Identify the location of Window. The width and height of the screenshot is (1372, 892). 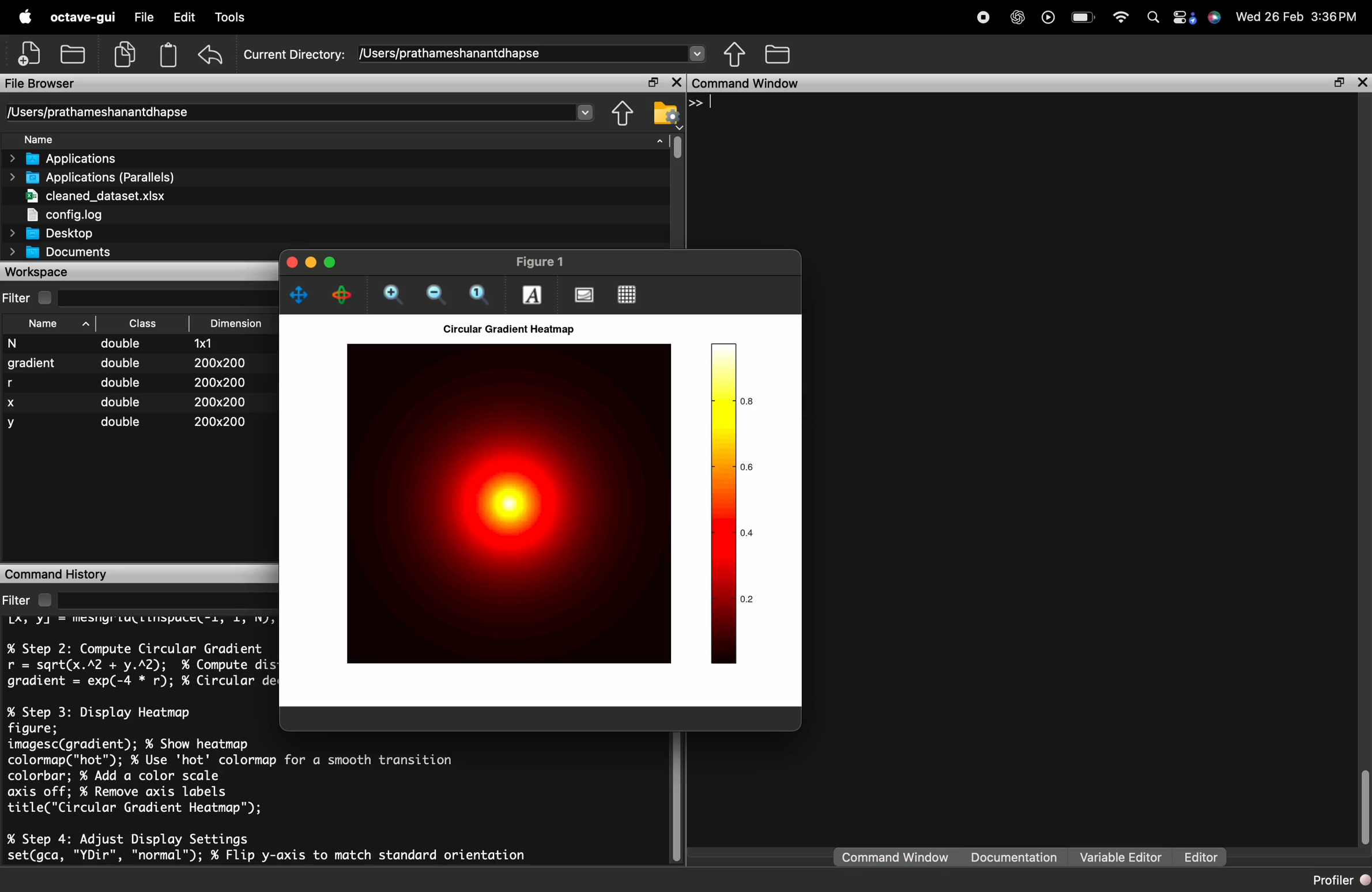
(339, 18).